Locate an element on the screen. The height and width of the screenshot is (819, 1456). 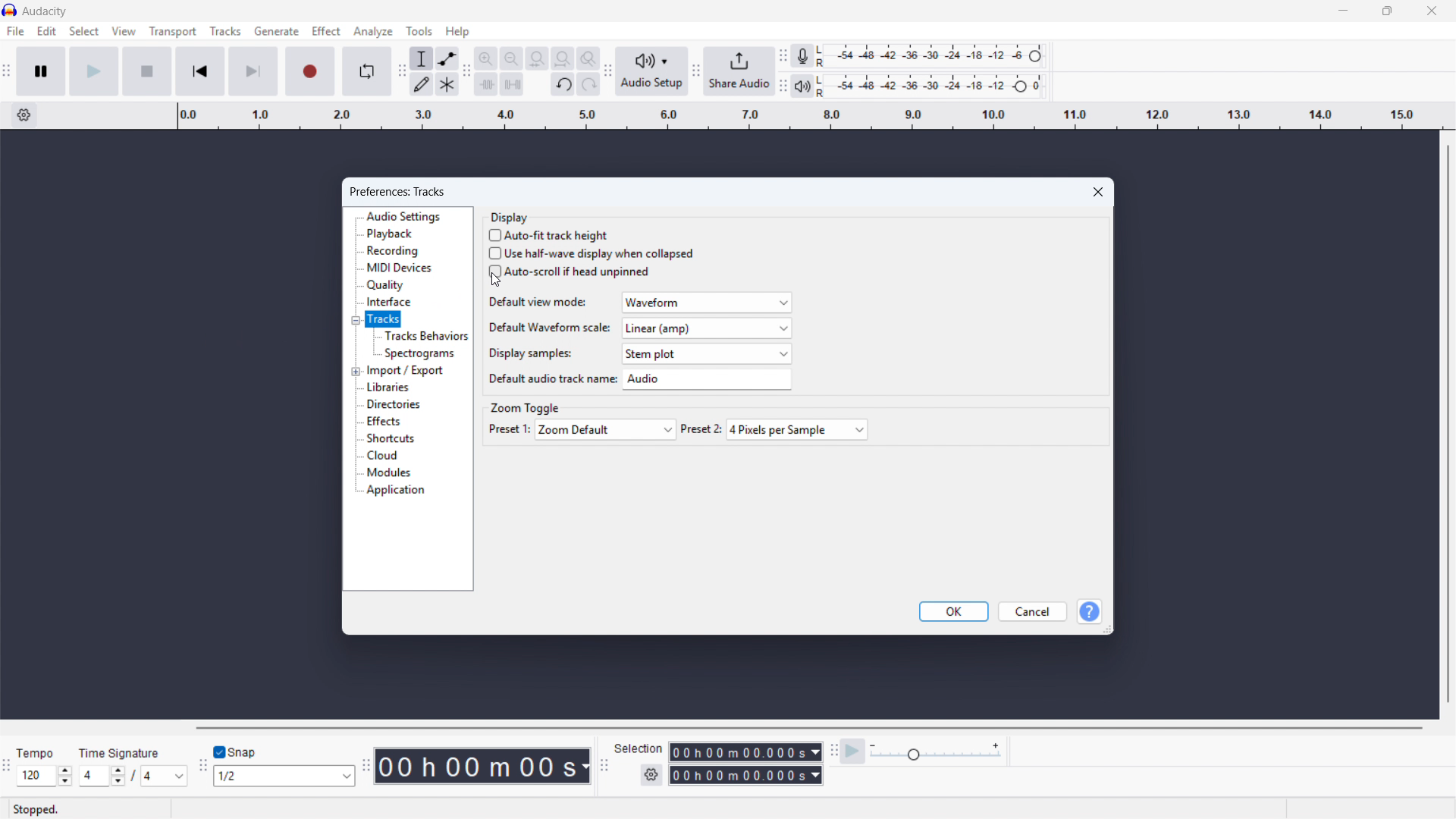
help is located at coordinates (1088, 611).